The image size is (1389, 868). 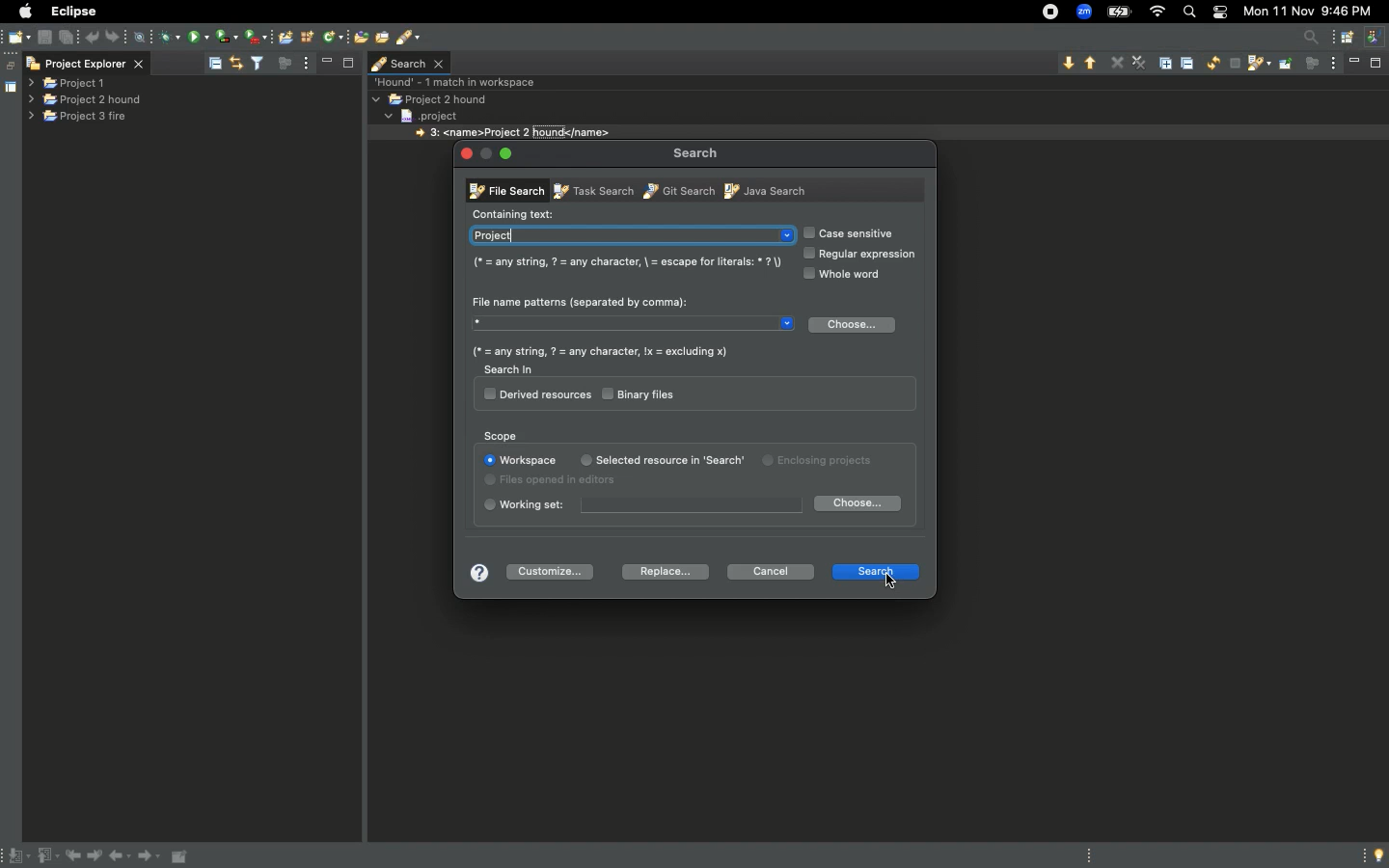 What do you see at coordinates (1139, 64) in the screenshot?
I see `Remove all matches` at bounding box center [1139, 64].